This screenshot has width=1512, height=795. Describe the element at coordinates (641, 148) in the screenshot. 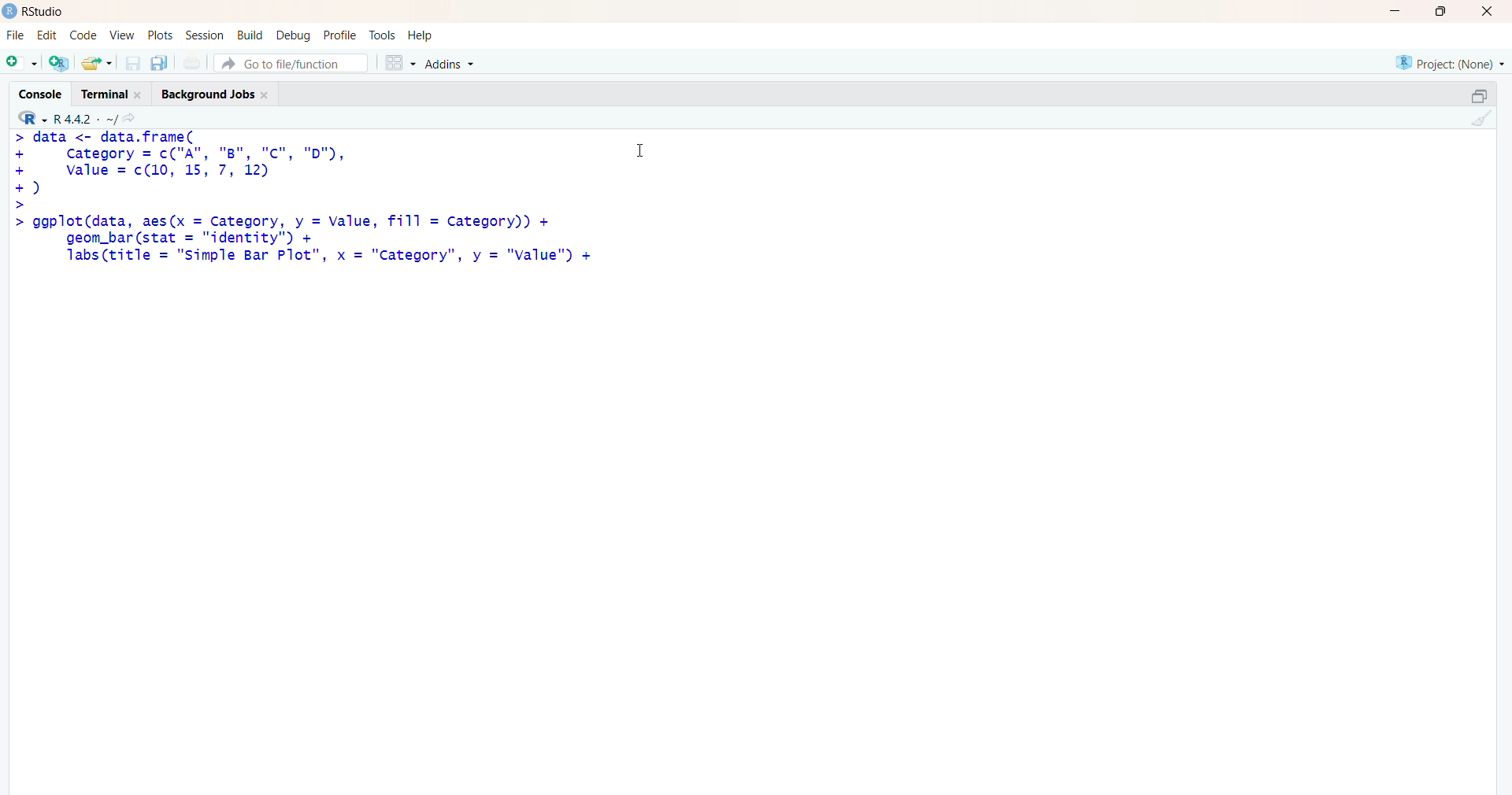

I see `Cursor` at that location.